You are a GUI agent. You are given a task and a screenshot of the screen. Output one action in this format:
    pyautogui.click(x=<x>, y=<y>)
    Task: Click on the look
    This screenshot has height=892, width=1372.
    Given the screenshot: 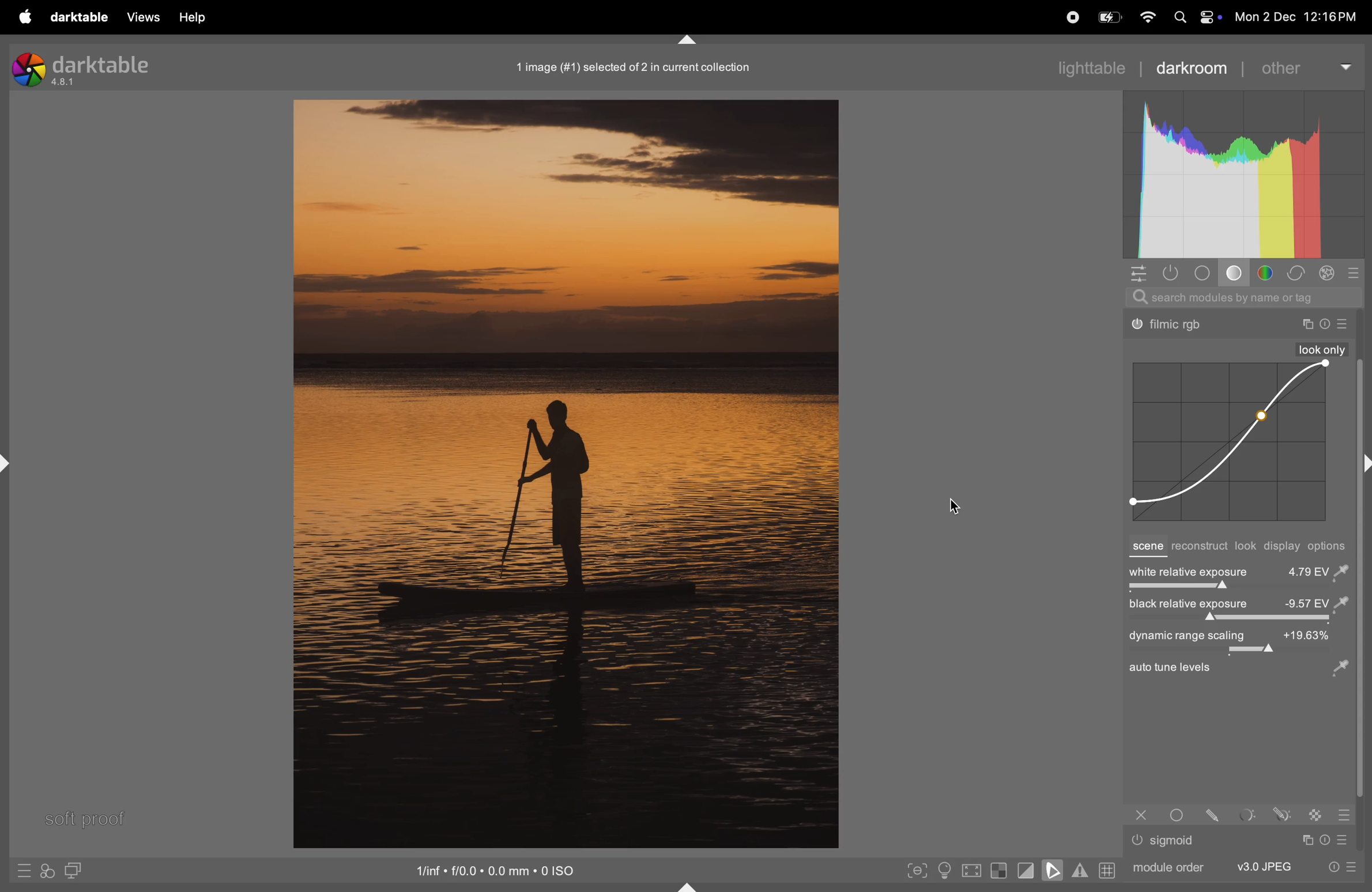 What is the action you would take?
    pyautogui.click(x=1246, y=546)
    